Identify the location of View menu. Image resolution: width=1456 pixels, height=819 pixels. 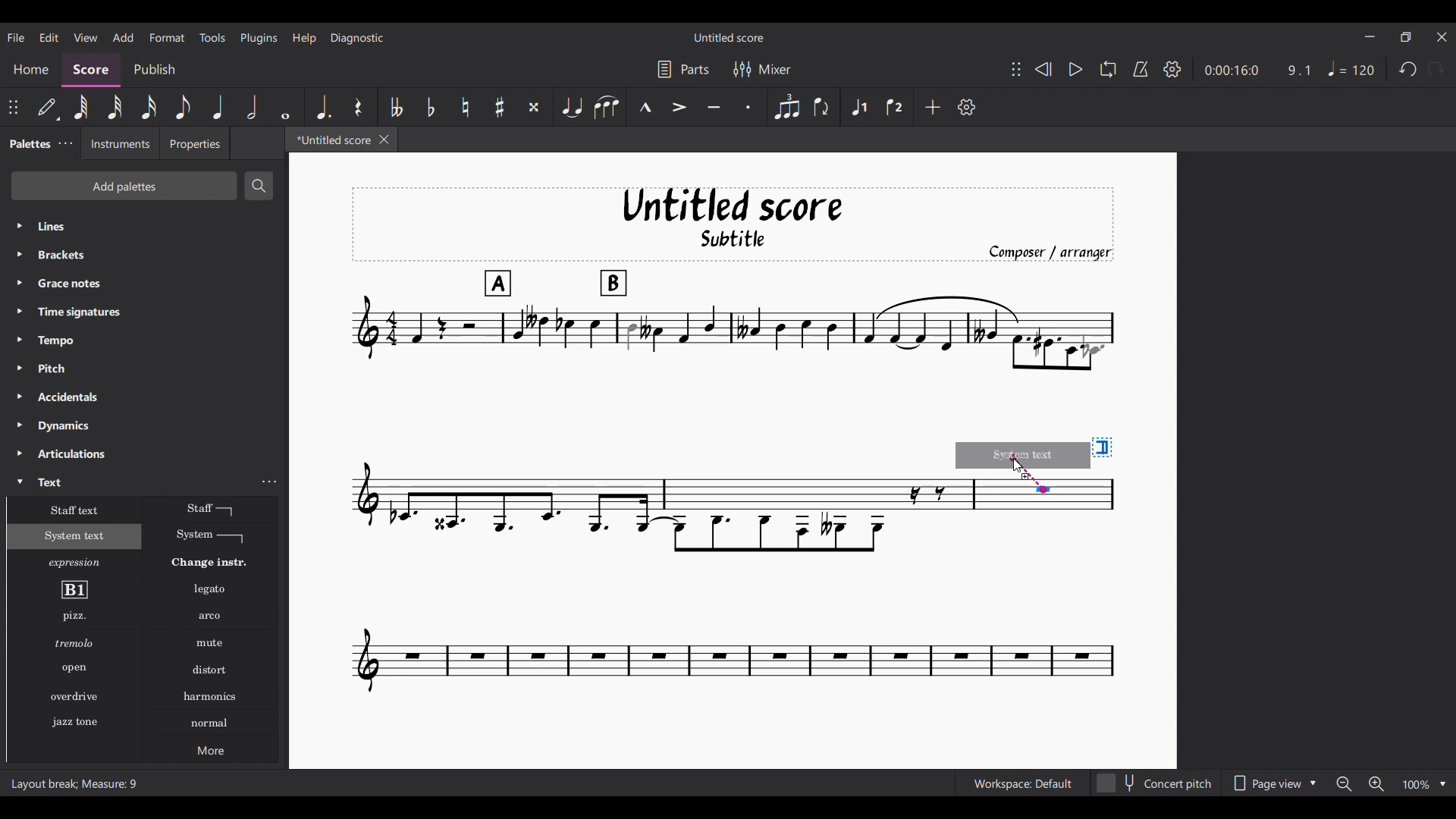
(86, 38).